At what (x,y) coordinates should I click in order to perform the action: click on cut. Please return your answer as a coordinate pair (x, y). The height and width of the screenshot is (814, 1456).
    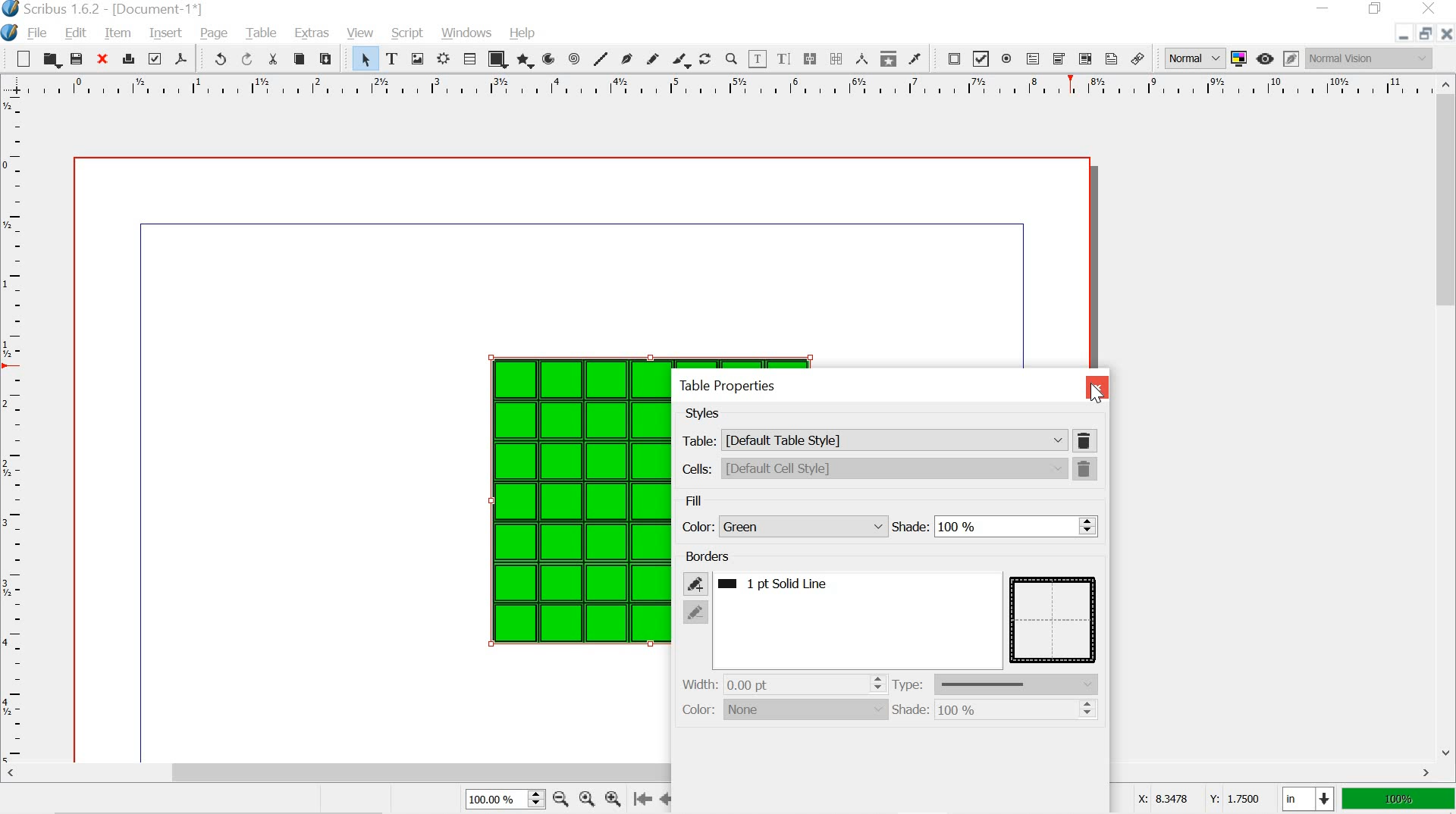
    Looking at the image, I should click on (273, 61).